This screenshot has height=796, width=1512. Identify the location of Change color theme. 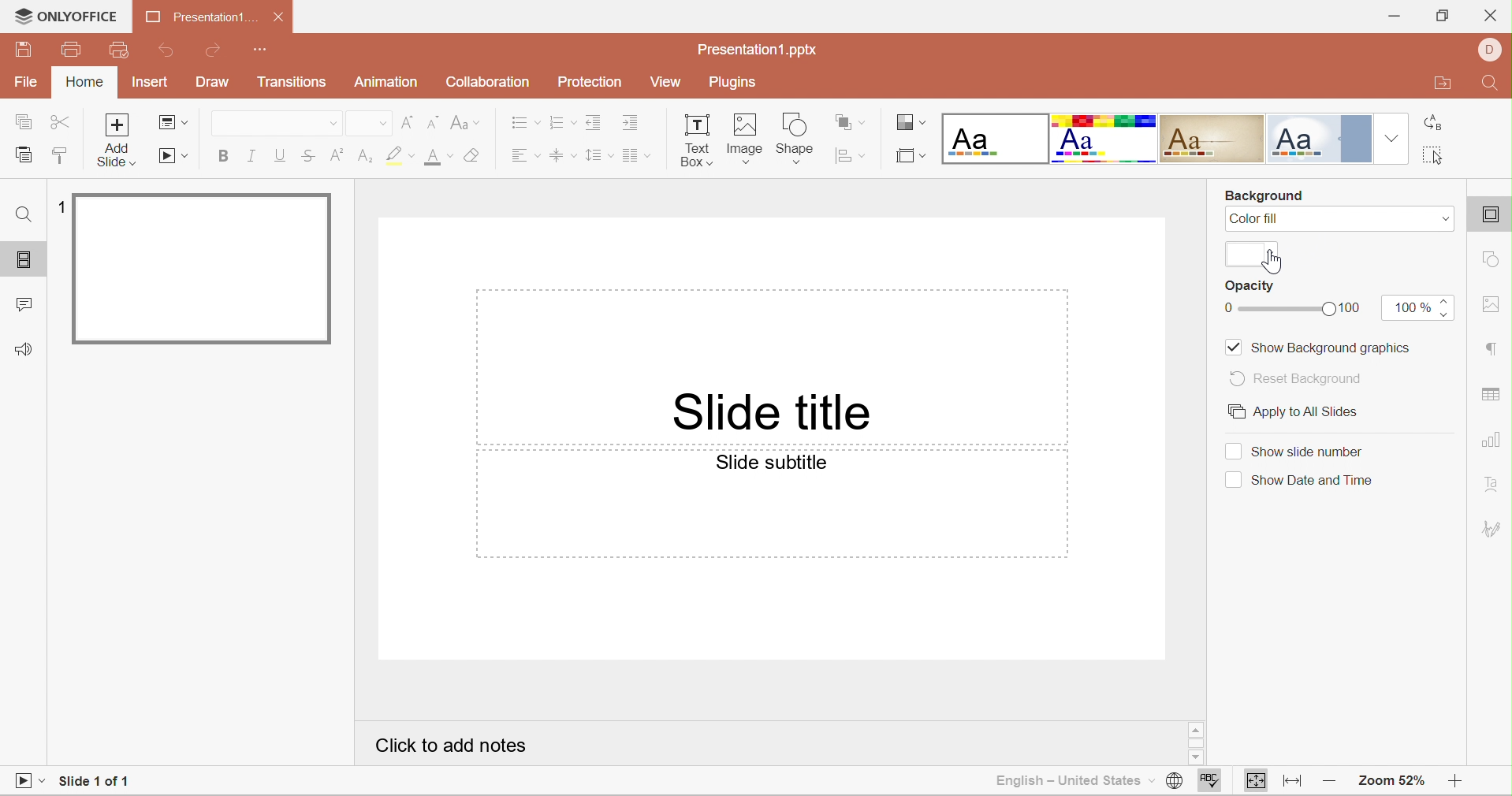
(911, 122).